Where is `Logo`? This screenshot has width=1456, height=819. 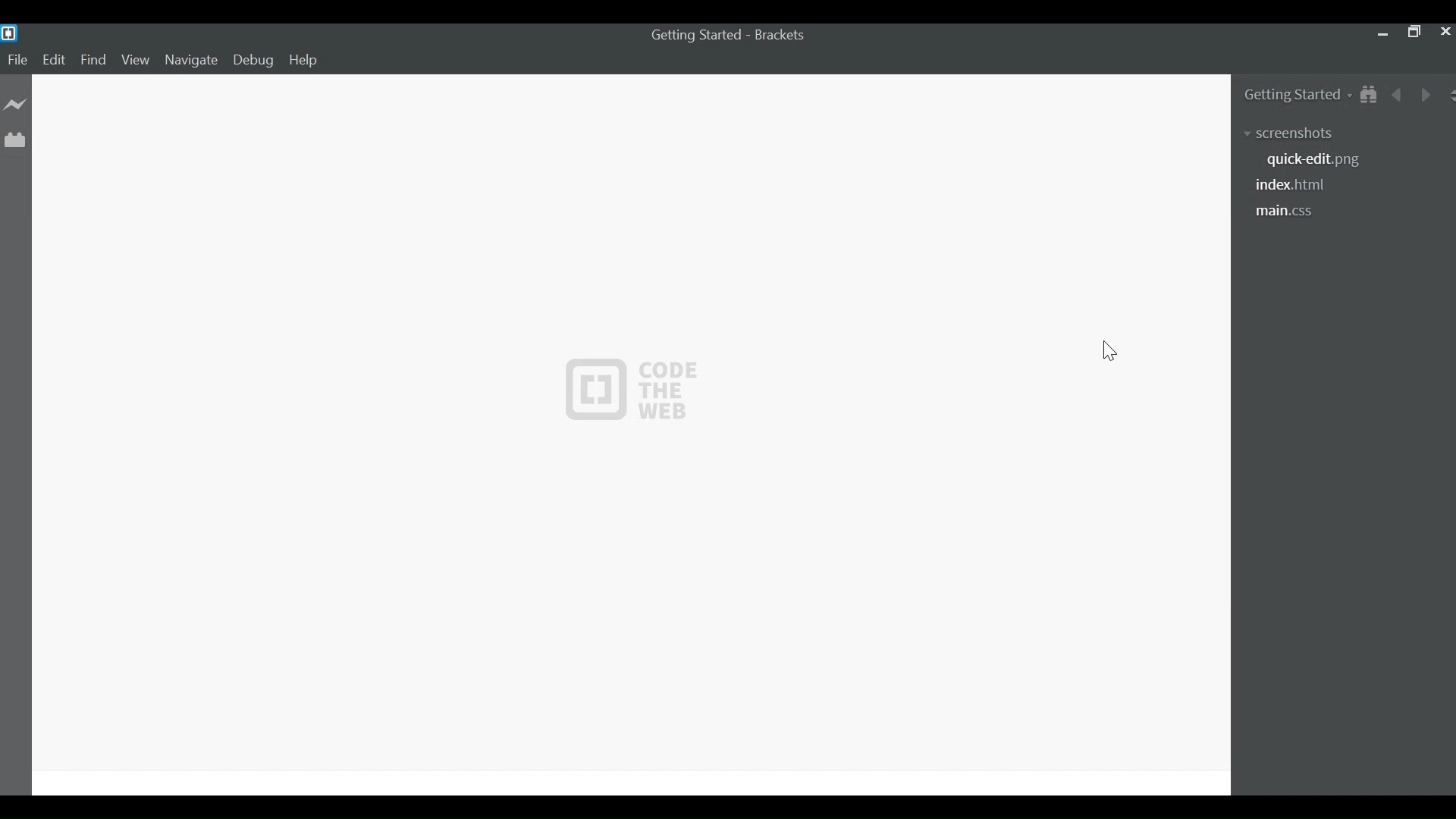 Logo is located at coordinates (630, 391).